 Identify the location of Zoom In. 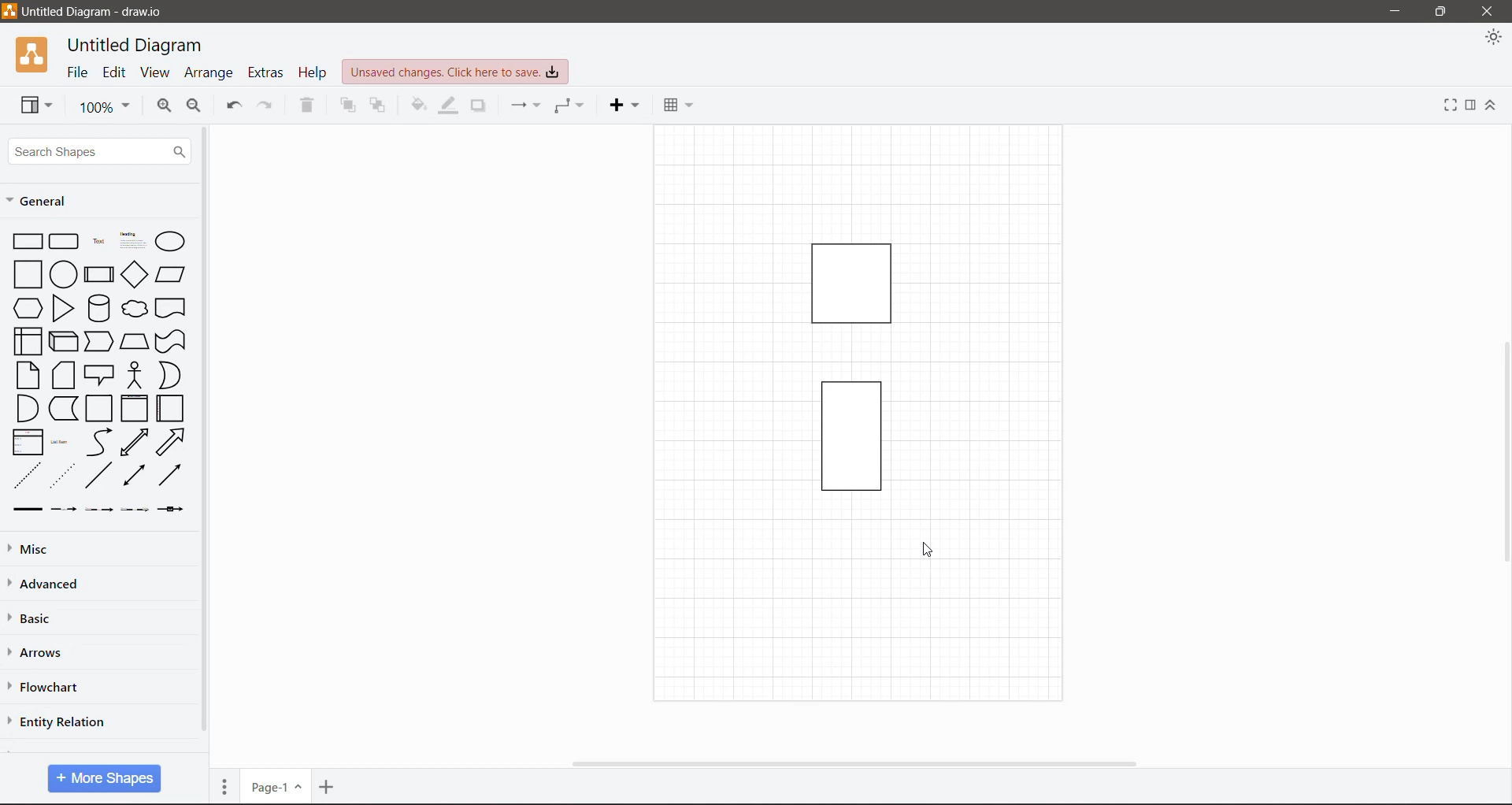
(164, 108).